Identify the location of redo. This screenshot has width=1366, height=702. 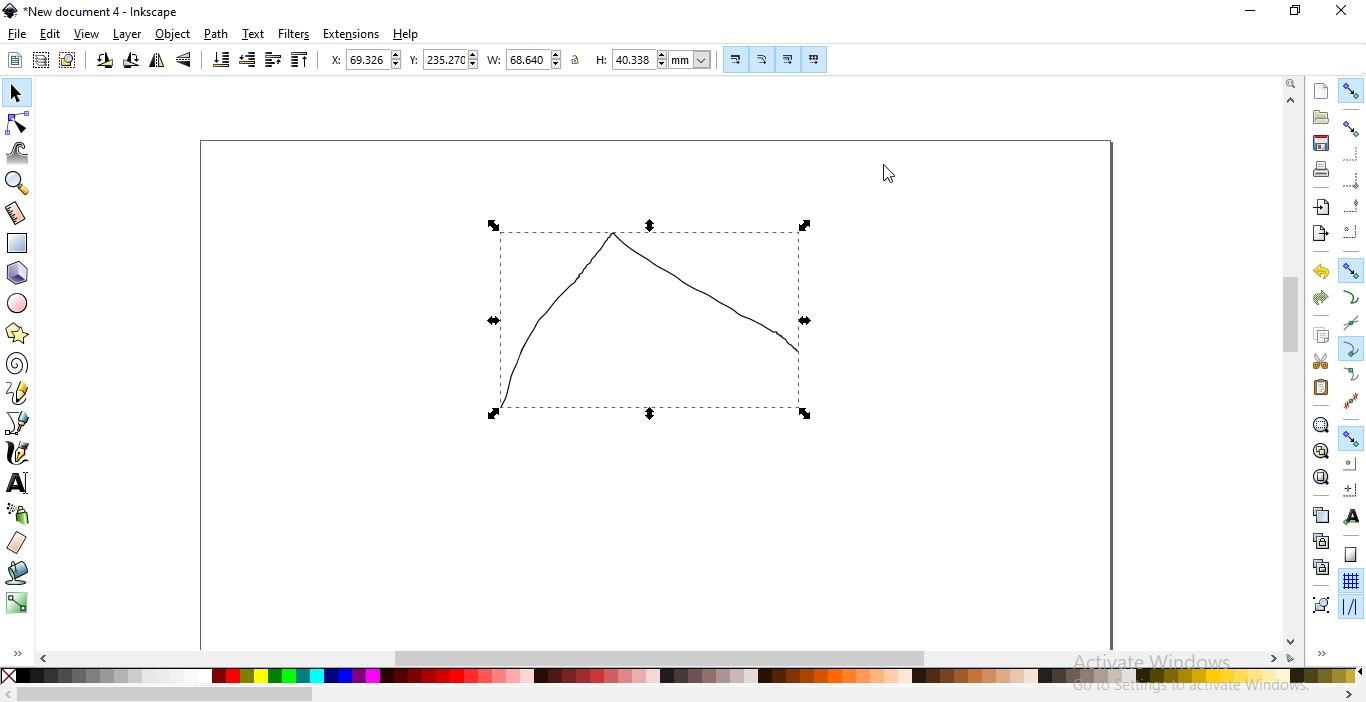
(1320, 298).